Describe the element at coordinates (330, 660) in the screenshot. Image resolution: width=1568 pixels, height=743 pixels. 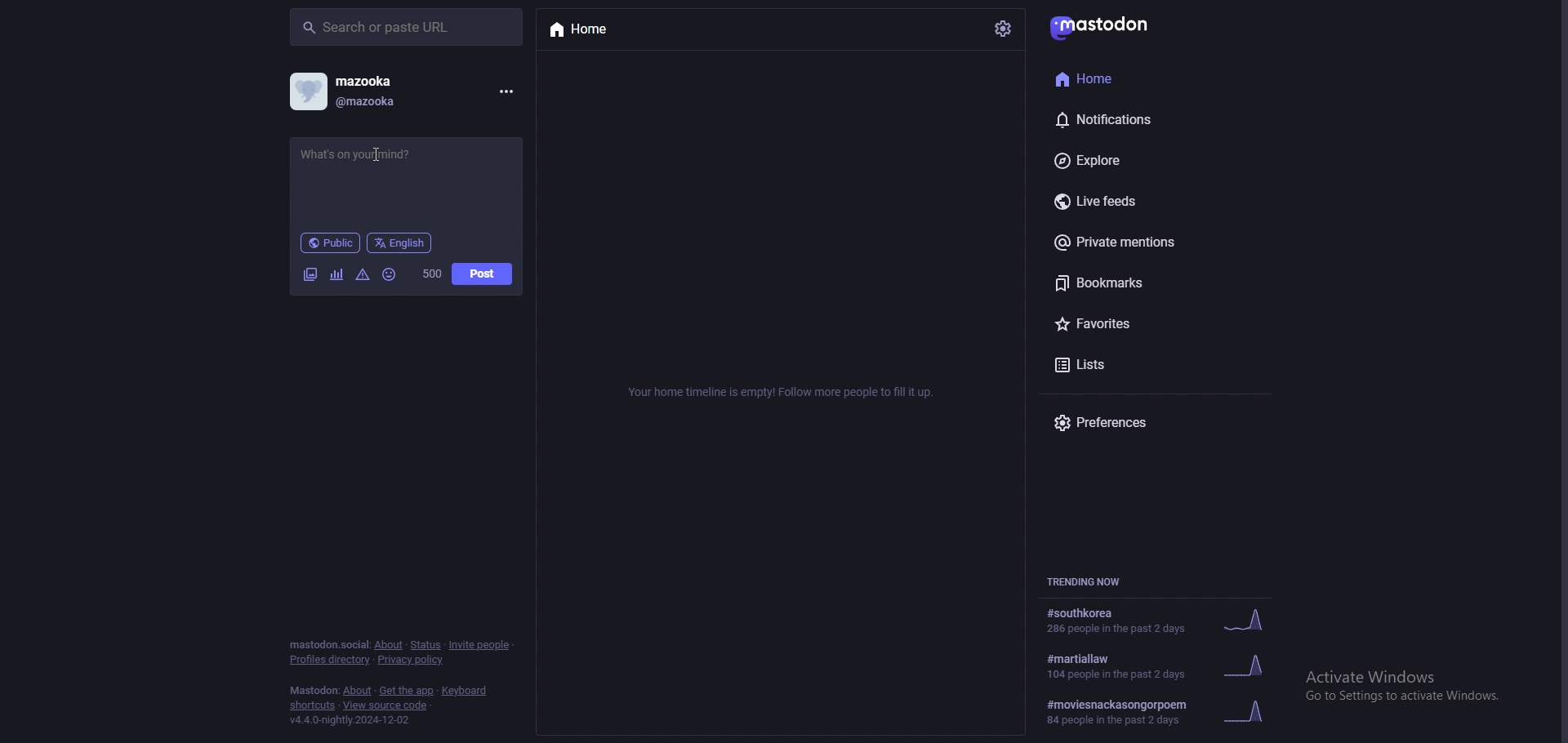
I see `profiles directory` at that location.